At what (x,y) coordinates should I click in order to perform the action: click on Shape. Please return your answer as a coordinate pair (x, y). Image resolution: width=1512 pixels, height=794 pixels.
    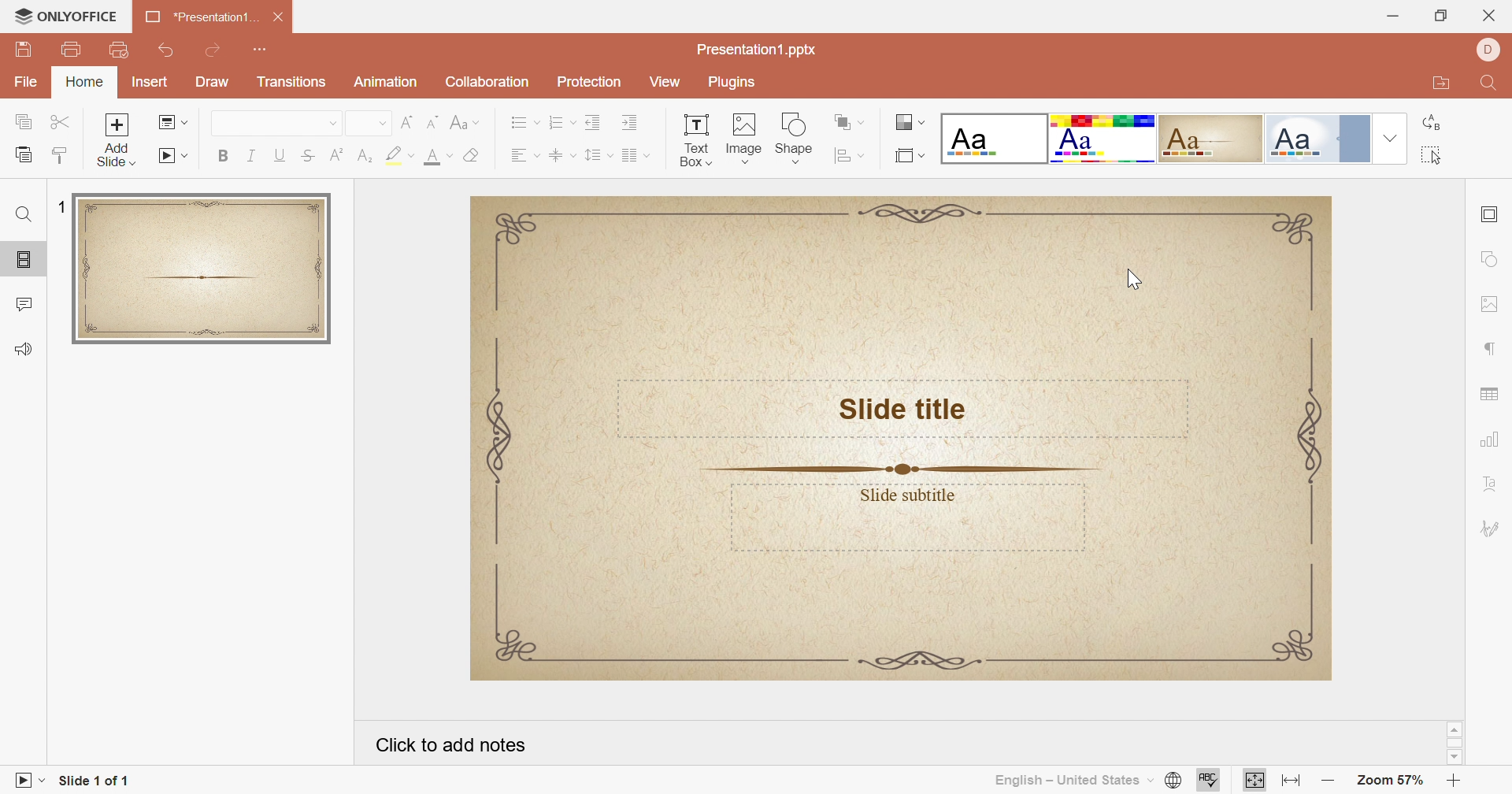
    Looking at the image, I should click on (791, 136).